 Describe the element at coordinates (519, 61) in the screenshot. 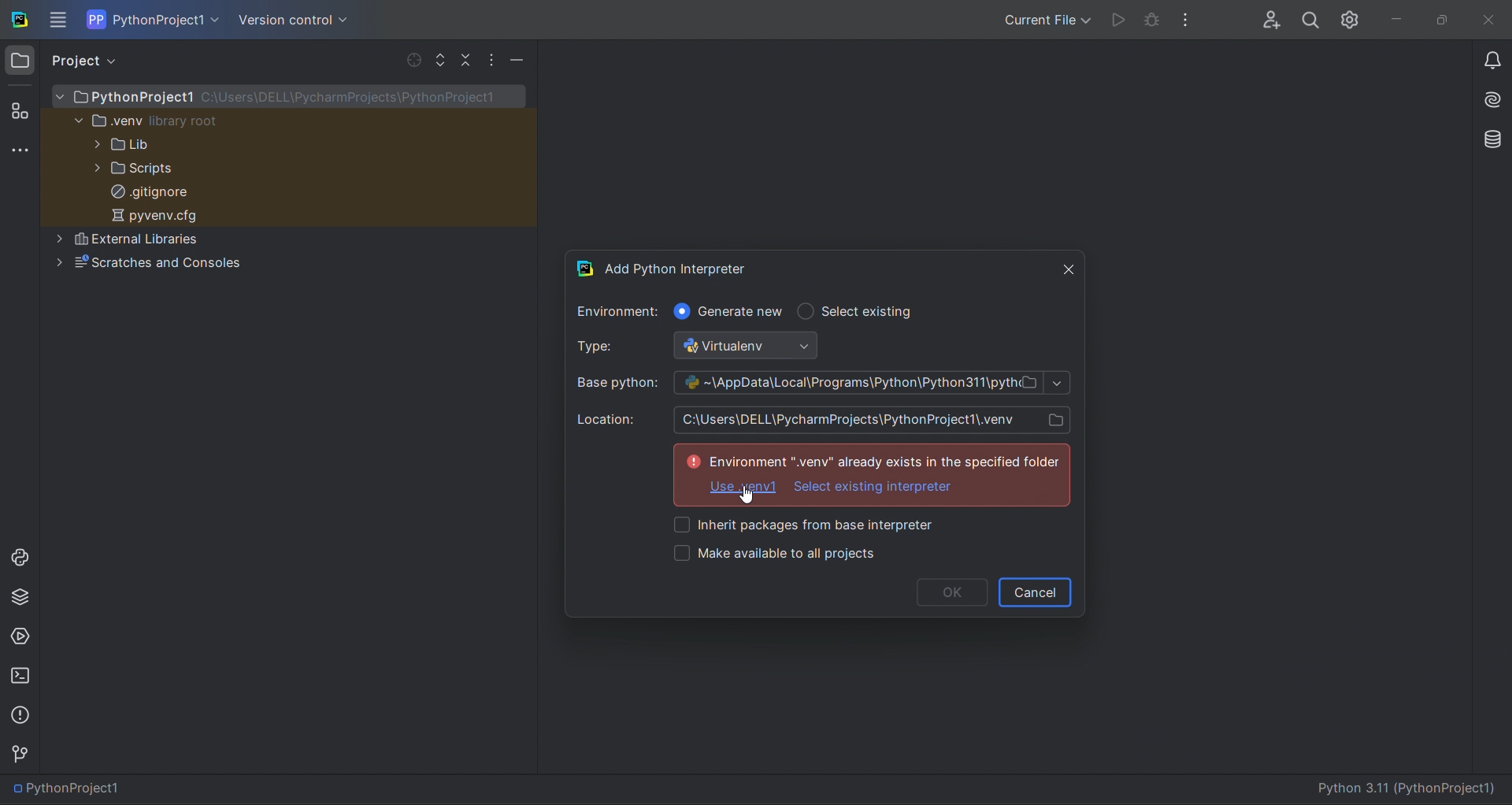

I see `minimize` at that location.